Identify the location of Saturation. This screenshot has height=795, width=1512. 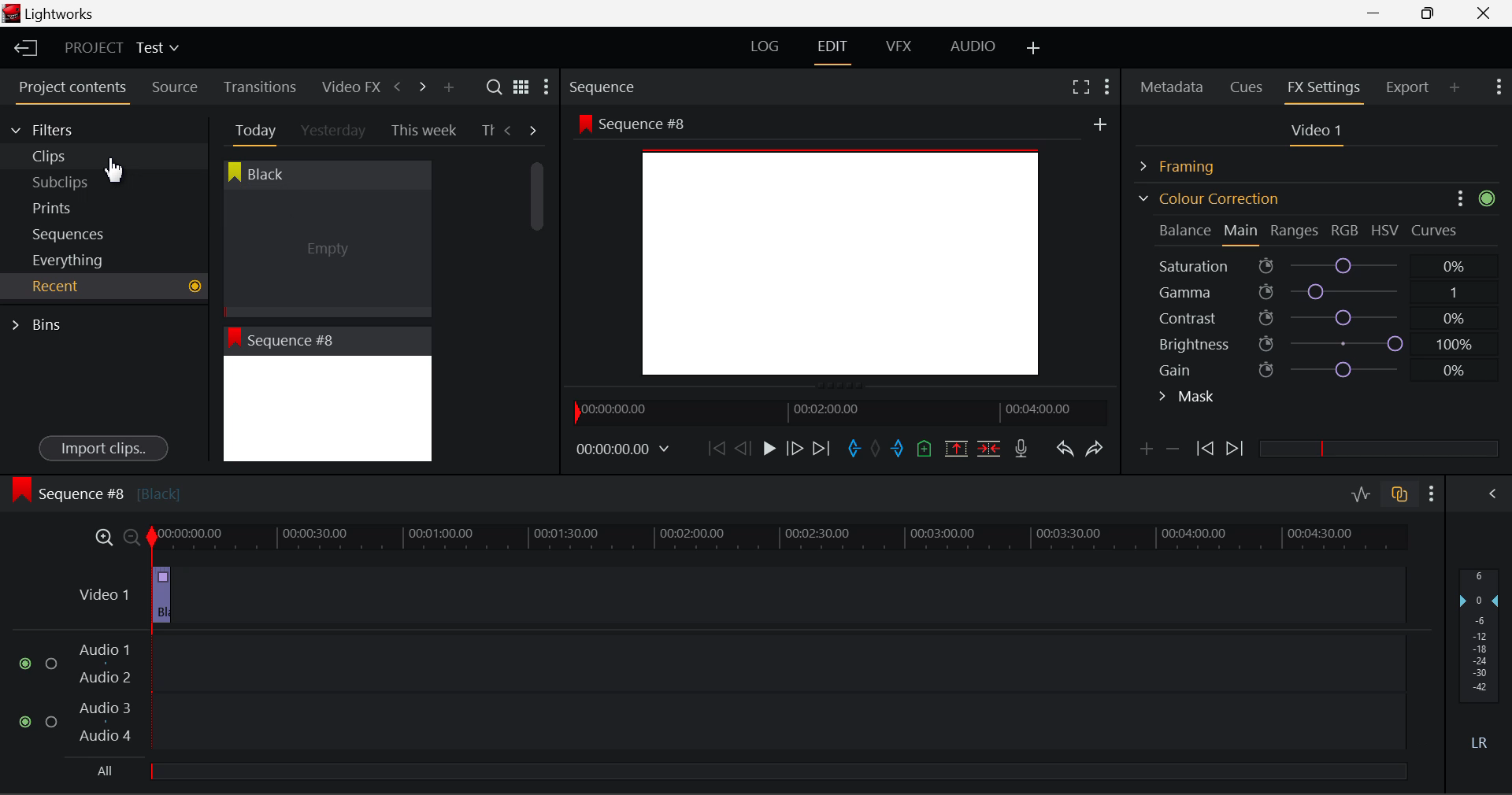
(1314, 263).